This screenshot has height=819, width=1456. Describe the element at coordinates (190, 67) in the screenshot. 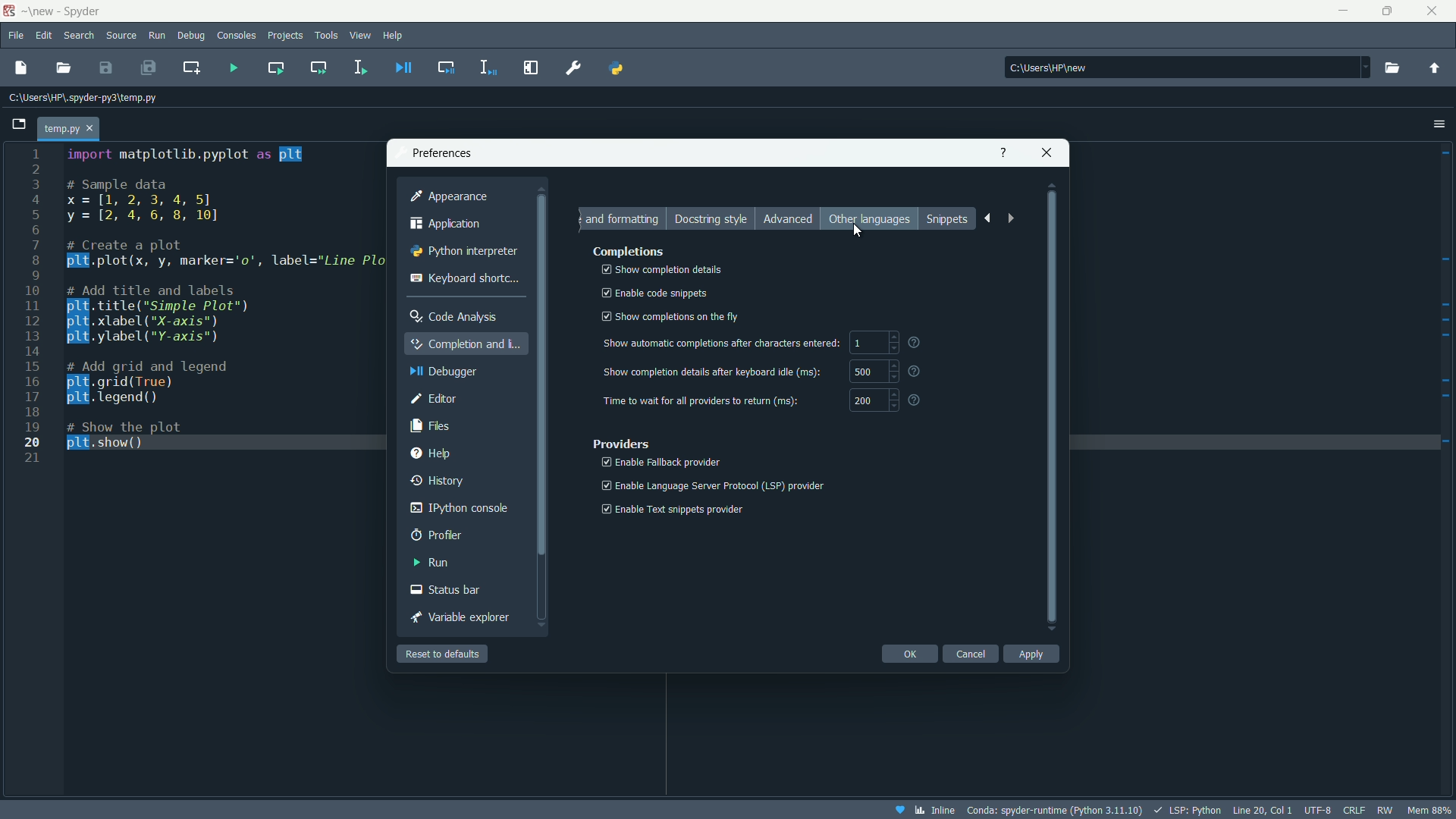

I see `add cell to current line` at that location.